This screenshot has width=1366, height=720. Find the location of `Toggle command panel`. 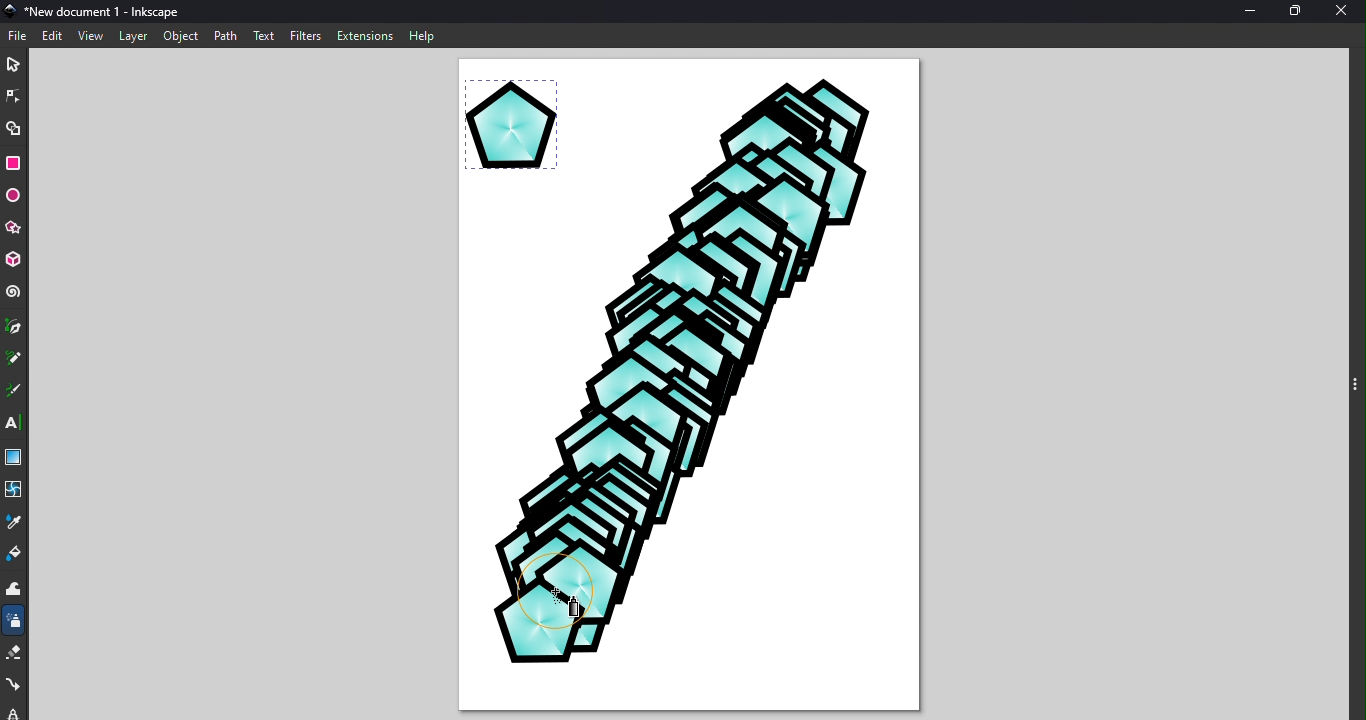

Toggle command panel is located at coordinates (1340, 387).